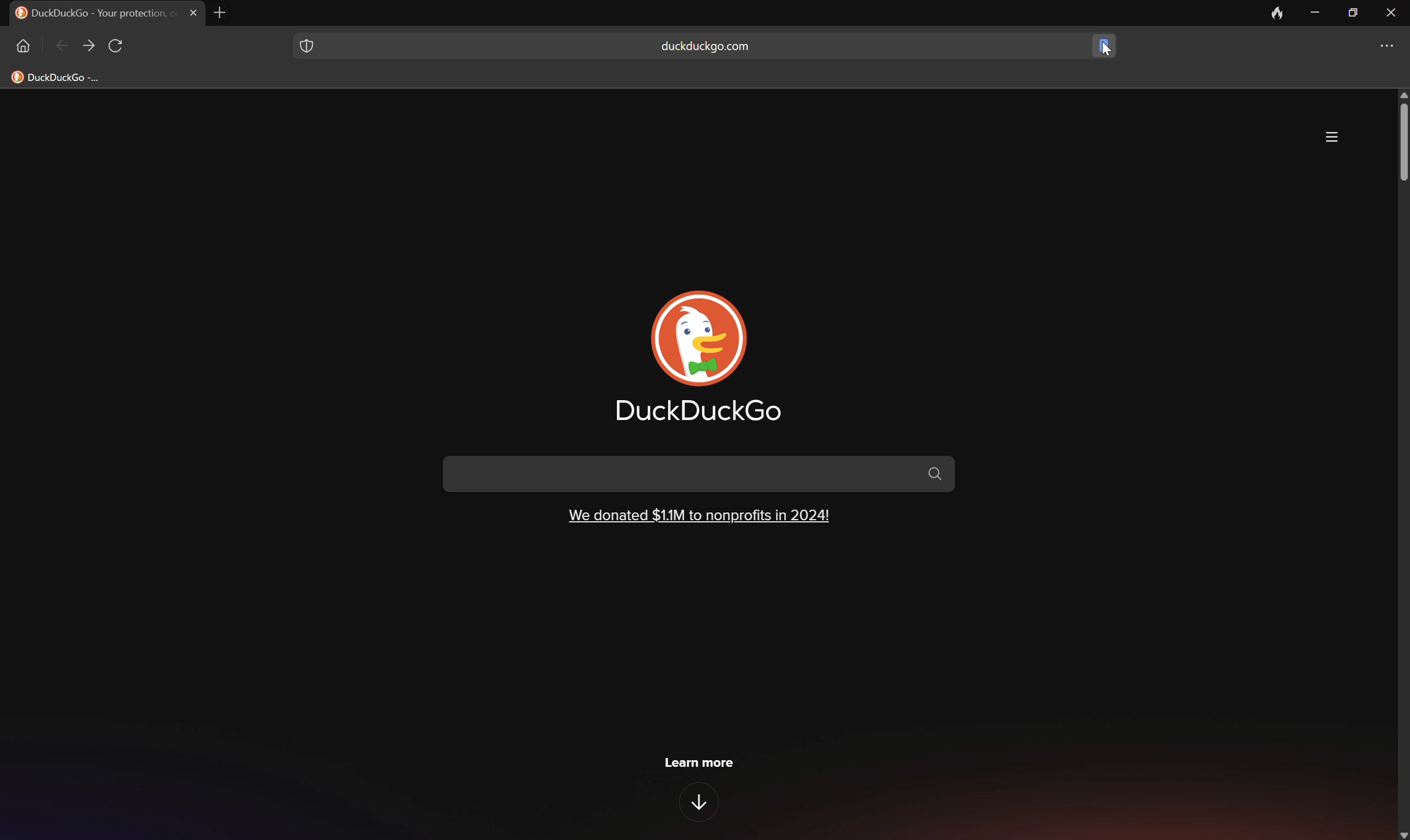 This screenshot has width=1410, height=840. Describe the element at coordinates (1101, 44) in the screenshot. I see `bookmark` at that location.